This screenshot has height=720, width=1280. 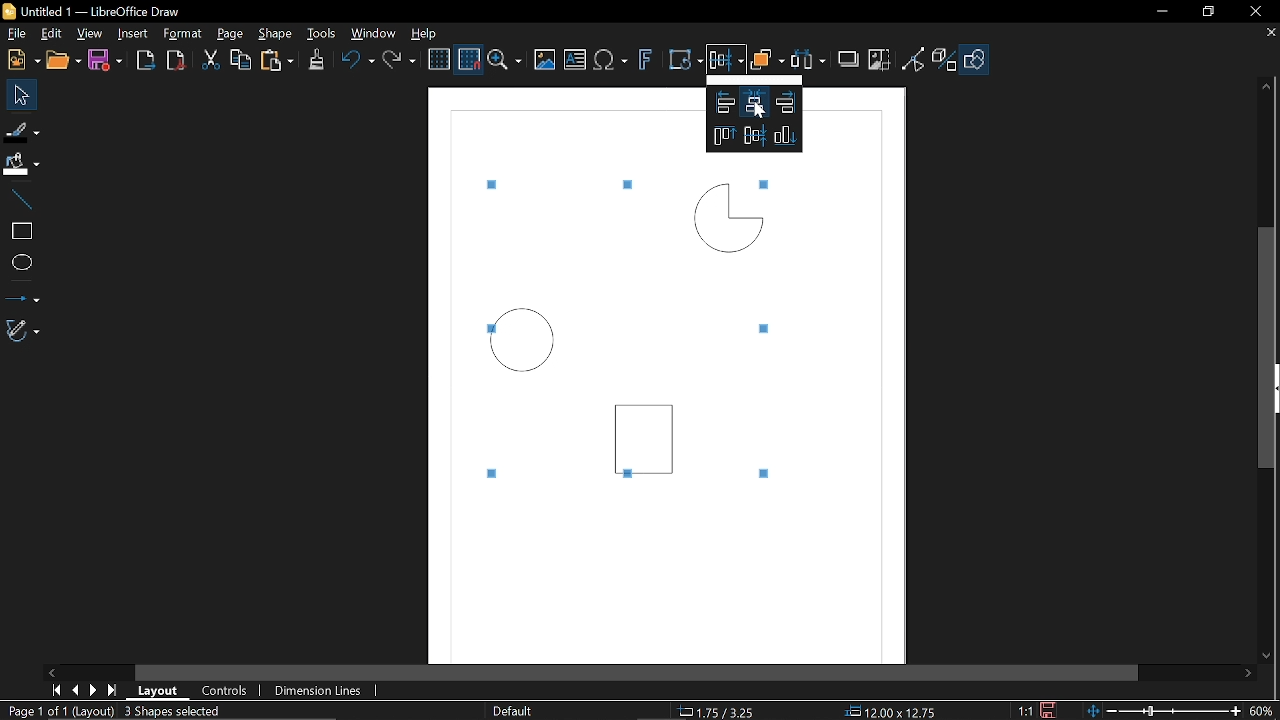 What do you see at coordinates (111, 11) in the screenshot?
I see `Untitled 1 — LibreOffice Draw` at bounding box center [111, 11].